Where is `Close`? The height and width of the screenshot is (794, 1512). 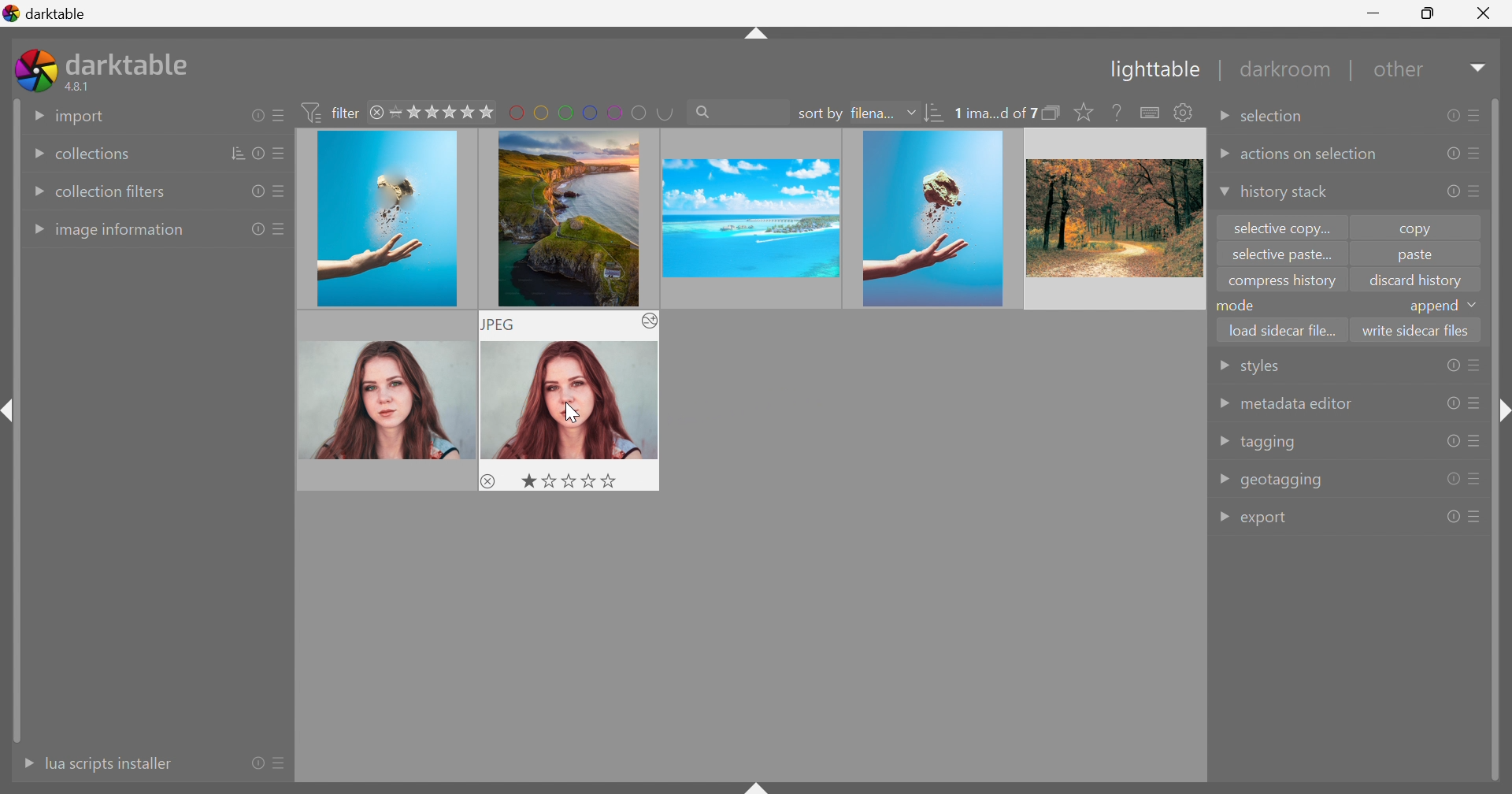
Close is located at coordinates (1484, 17).